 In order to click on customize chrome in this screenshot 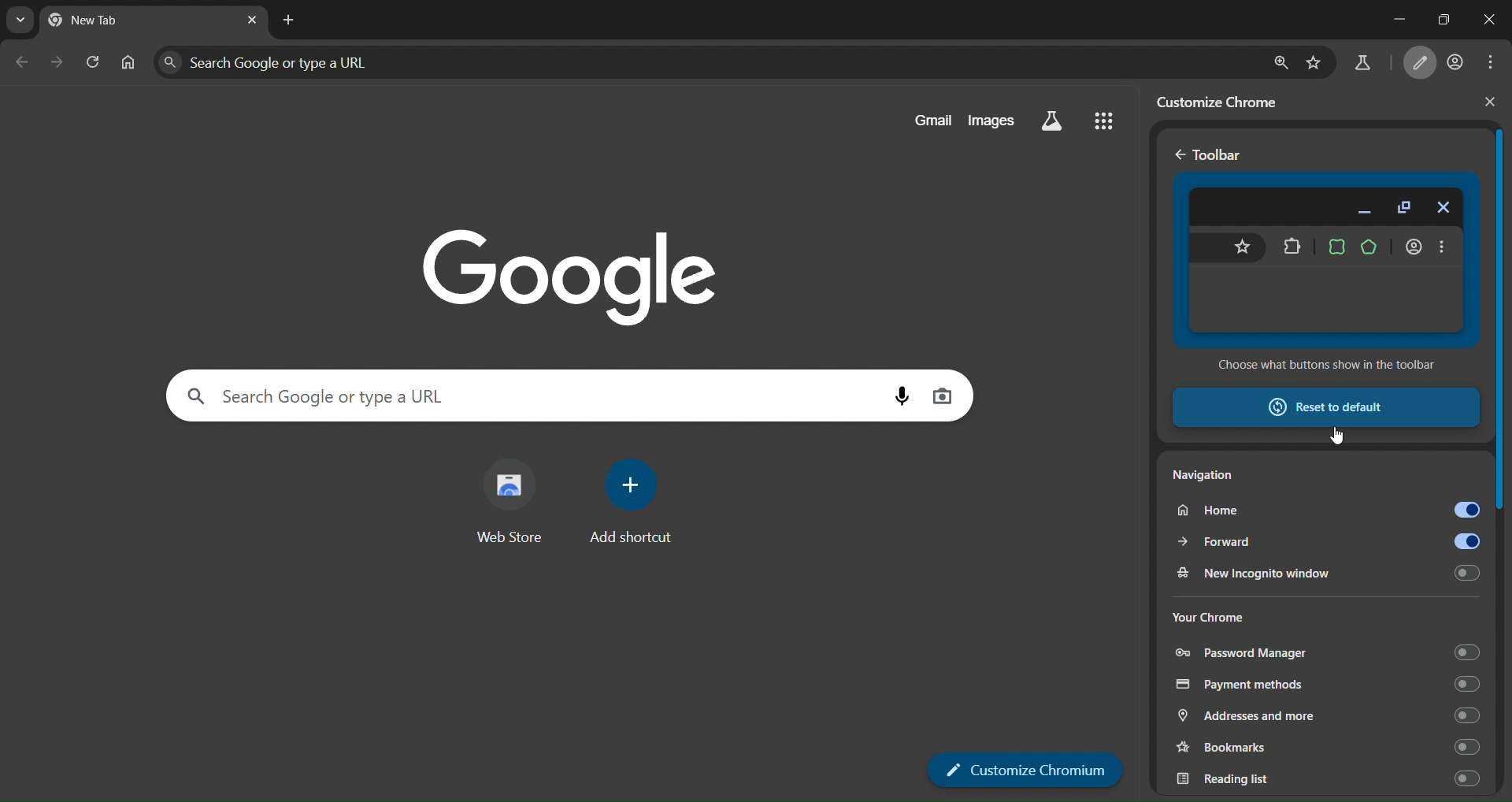, I will do `click(1227, 100)`.